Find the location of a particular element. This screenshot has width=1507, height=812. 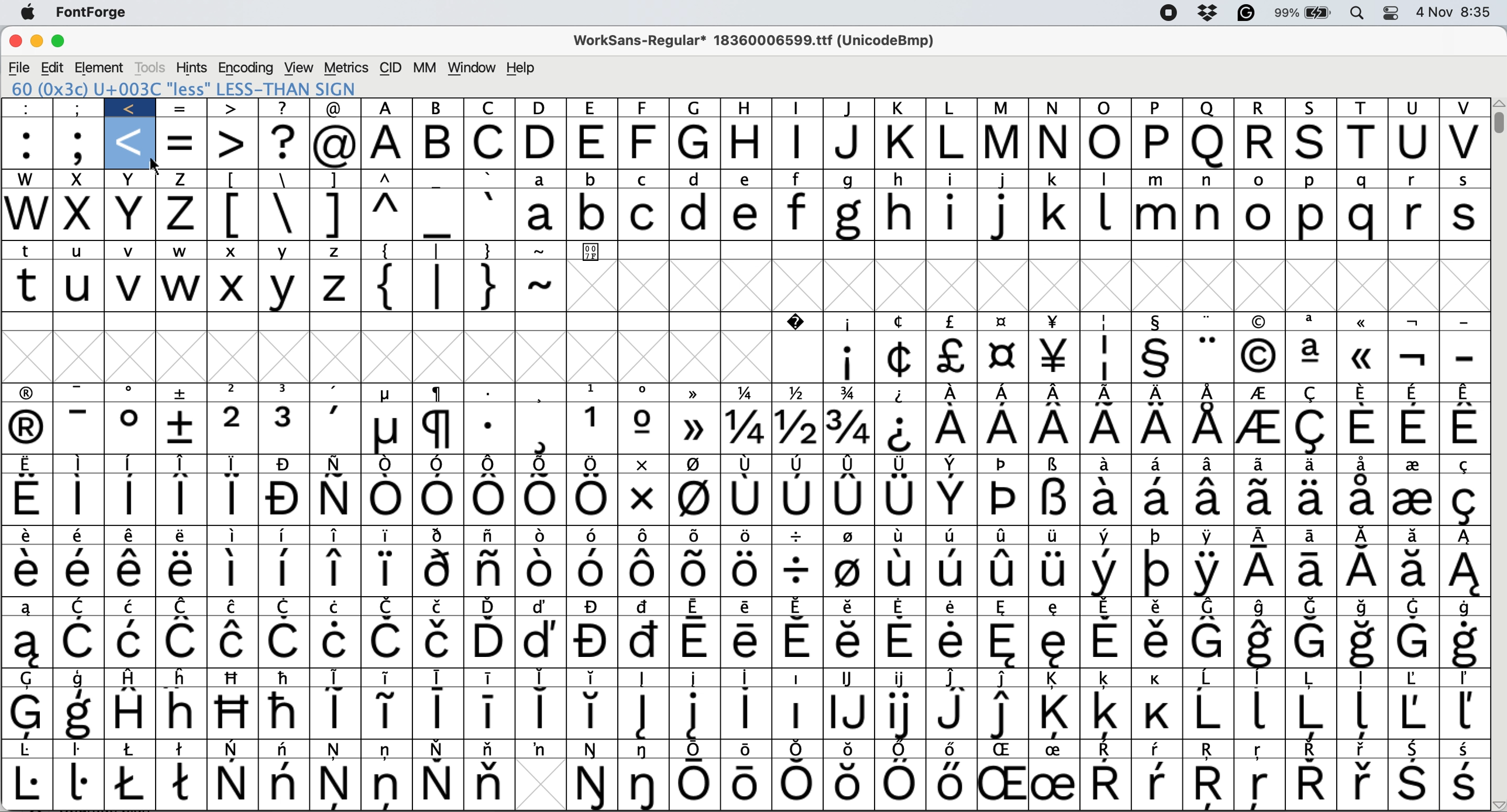

h is located at coordinates (745, 142).